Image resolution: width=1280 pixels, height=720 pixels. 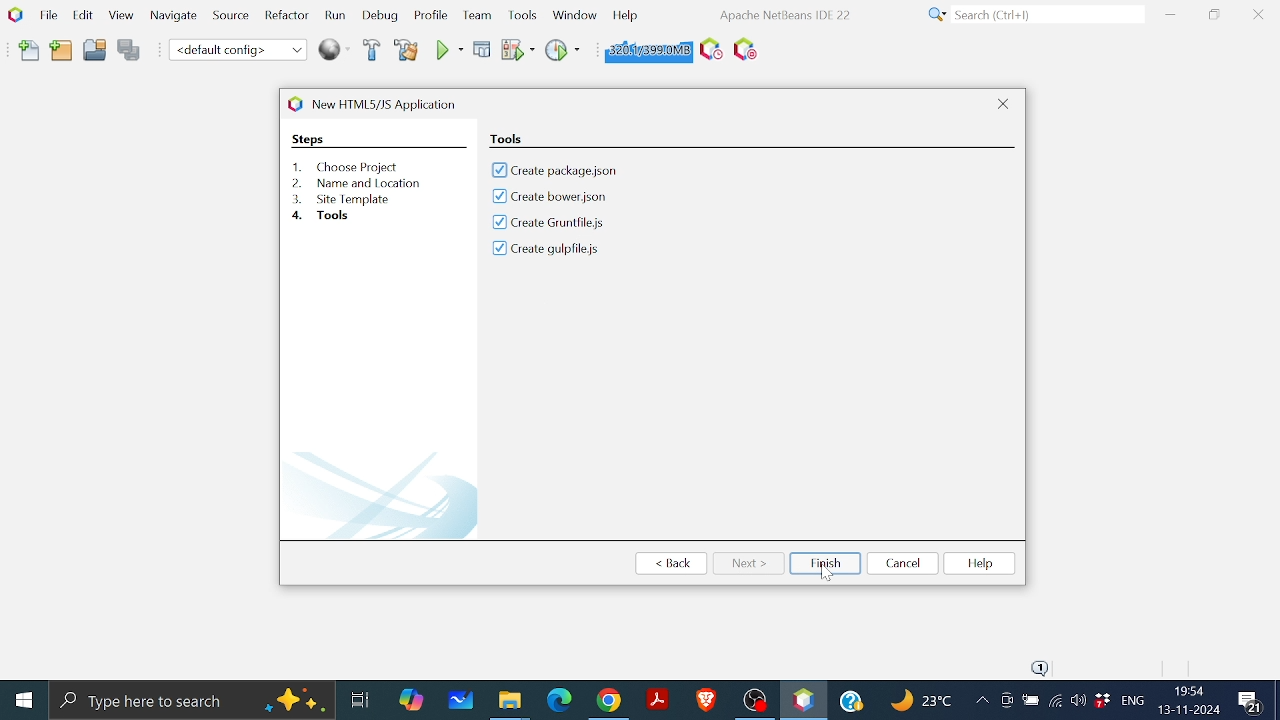 What do you see at coordinates (120, 16) in the screenshot?
I see `View` at bounding box center [120, 16].